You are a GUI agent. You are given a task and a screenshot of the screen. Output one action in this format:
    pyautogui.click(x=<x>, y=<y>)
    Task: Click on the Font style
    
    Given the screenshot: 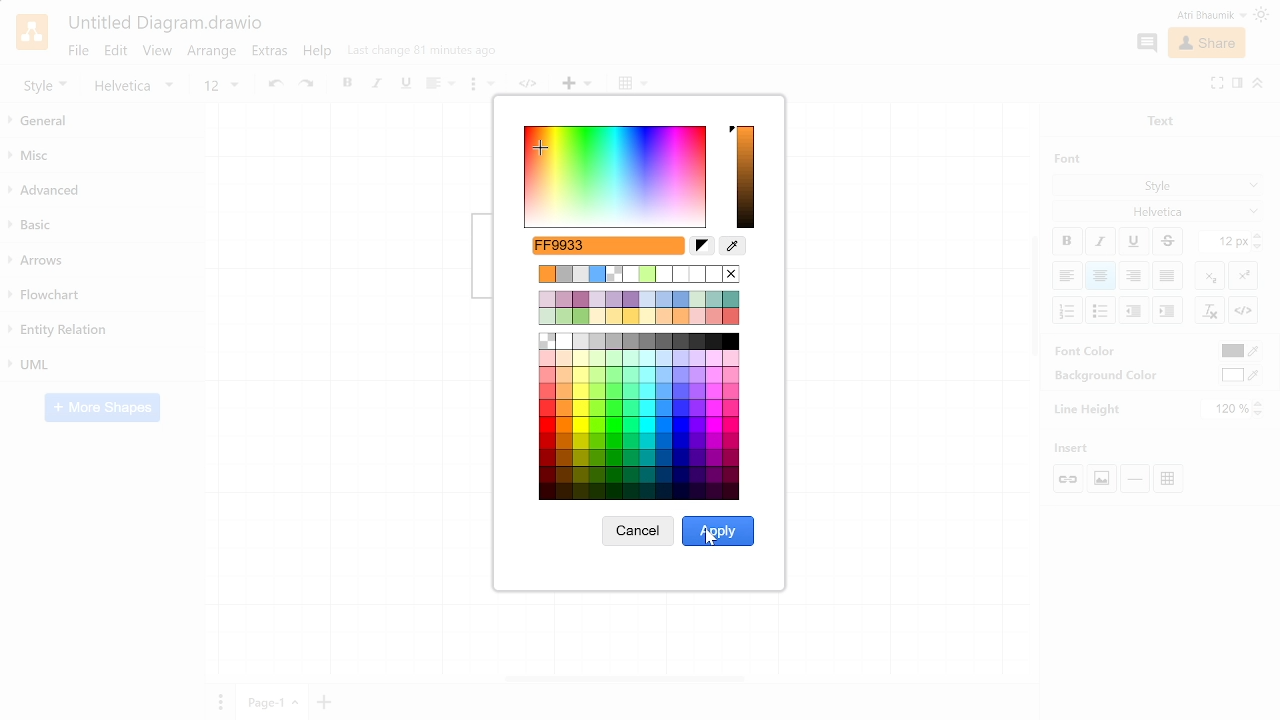 What is the action you would take?
    pyautogui.click(x=1159, y=187)
    